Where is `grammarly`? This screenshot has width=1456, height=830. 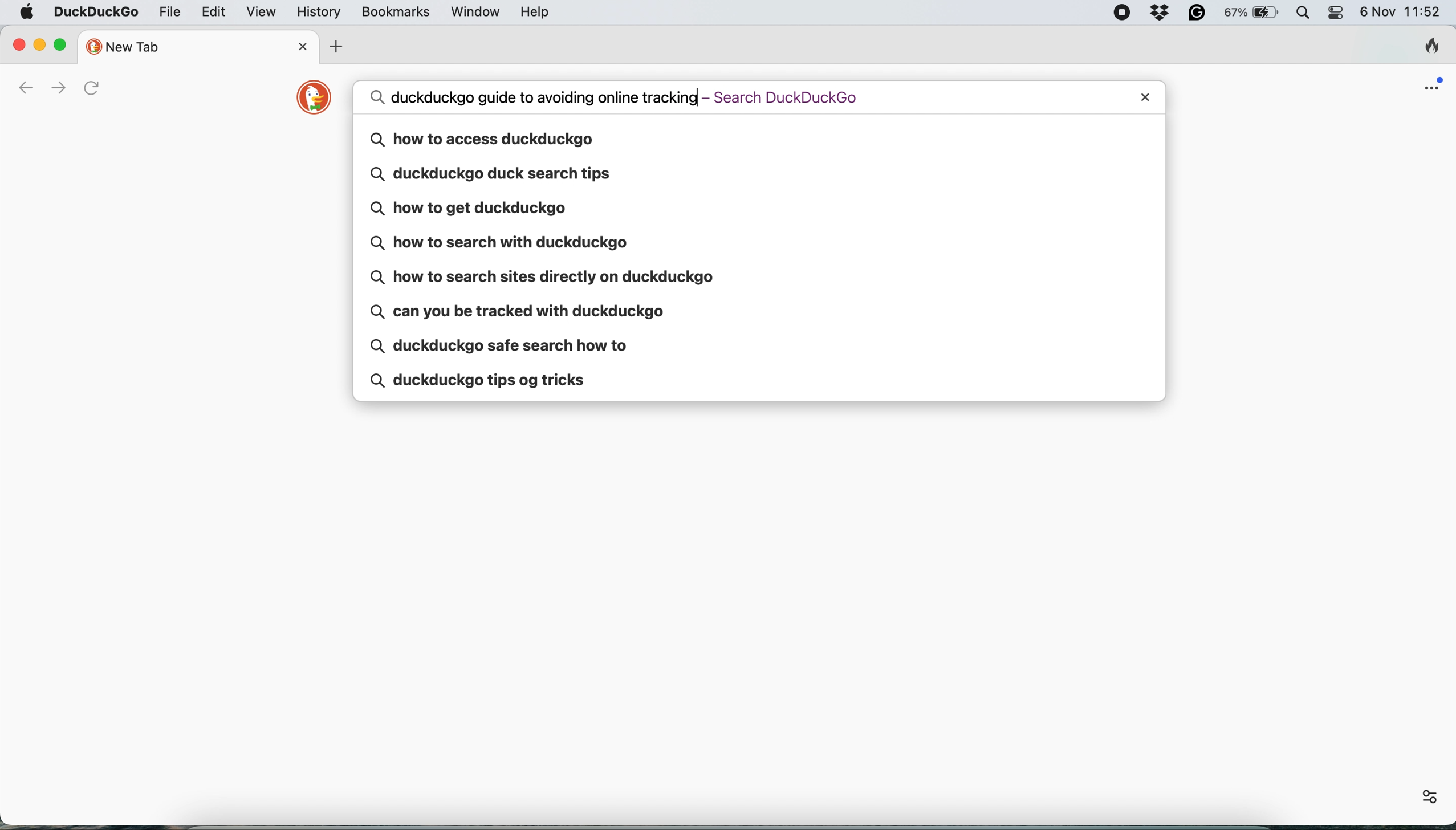
grammarly is located at coordinates (1198, 14).